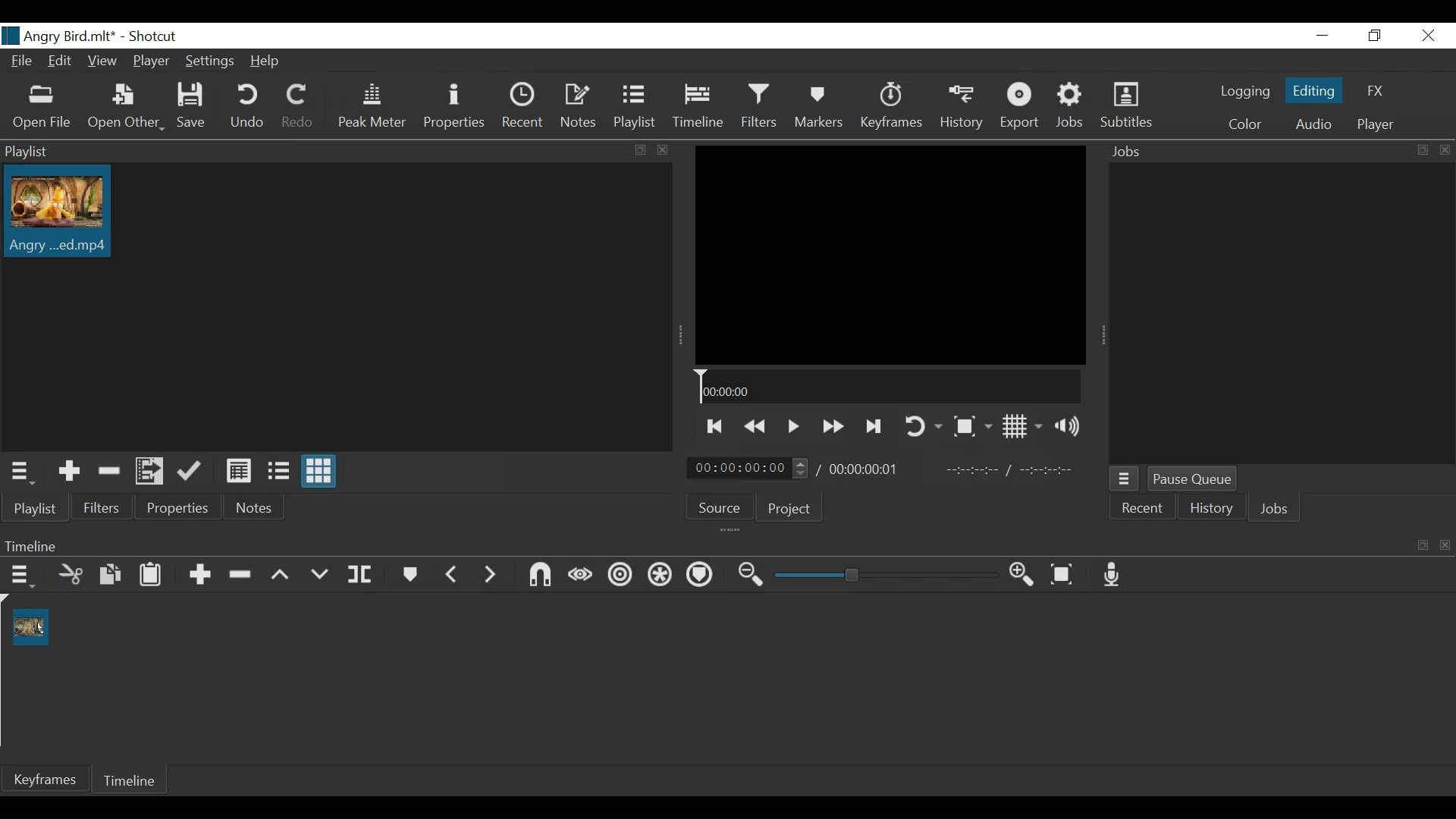 This screenshot has height=819, width=1456. I want to click on Overwrite, so click(318, 576).